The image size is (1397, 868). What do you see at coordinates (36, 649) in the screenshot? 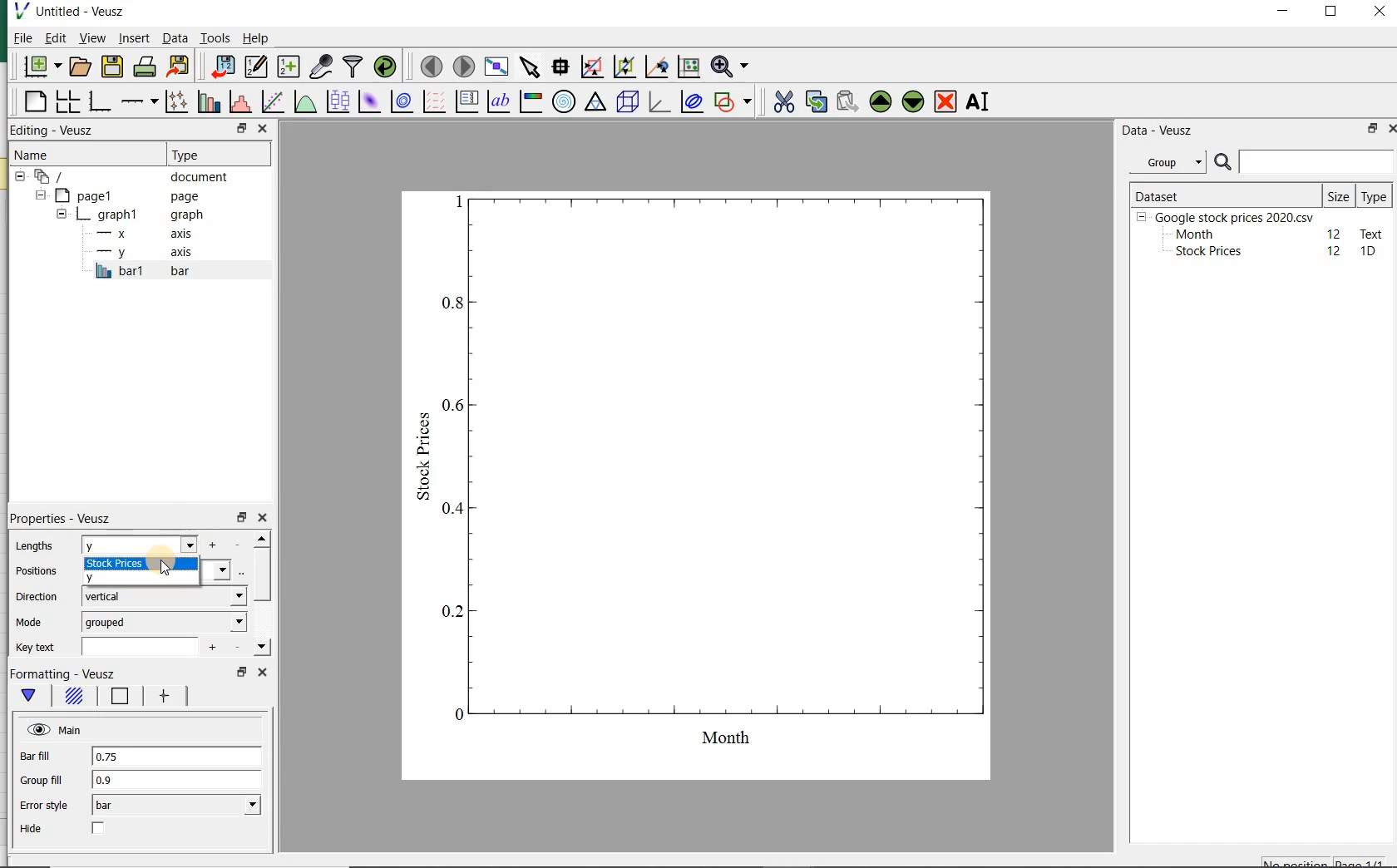
I see `Key text` at bounding box center [36, 649].